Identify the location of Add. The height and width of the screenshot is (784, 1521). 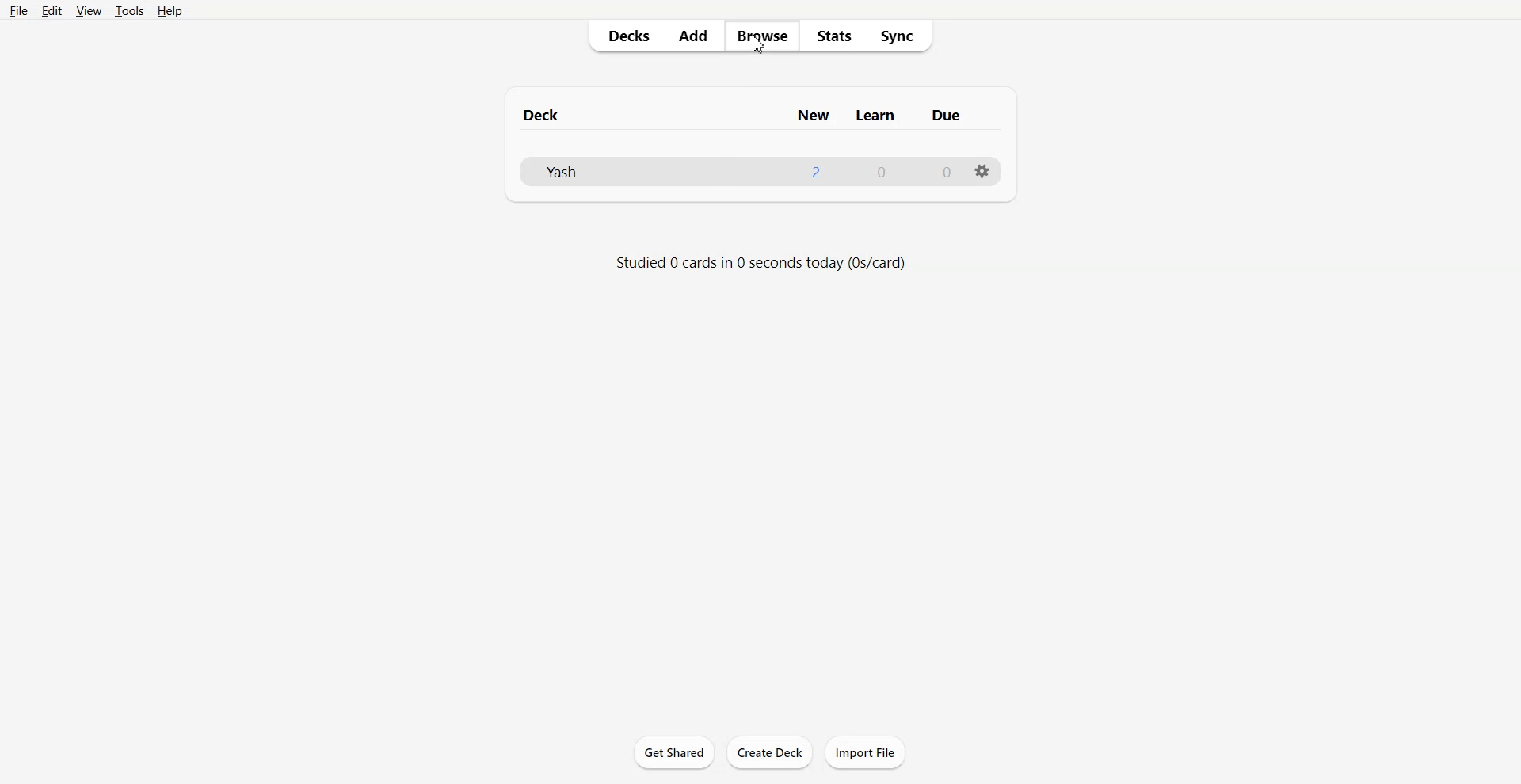
(698, 37).